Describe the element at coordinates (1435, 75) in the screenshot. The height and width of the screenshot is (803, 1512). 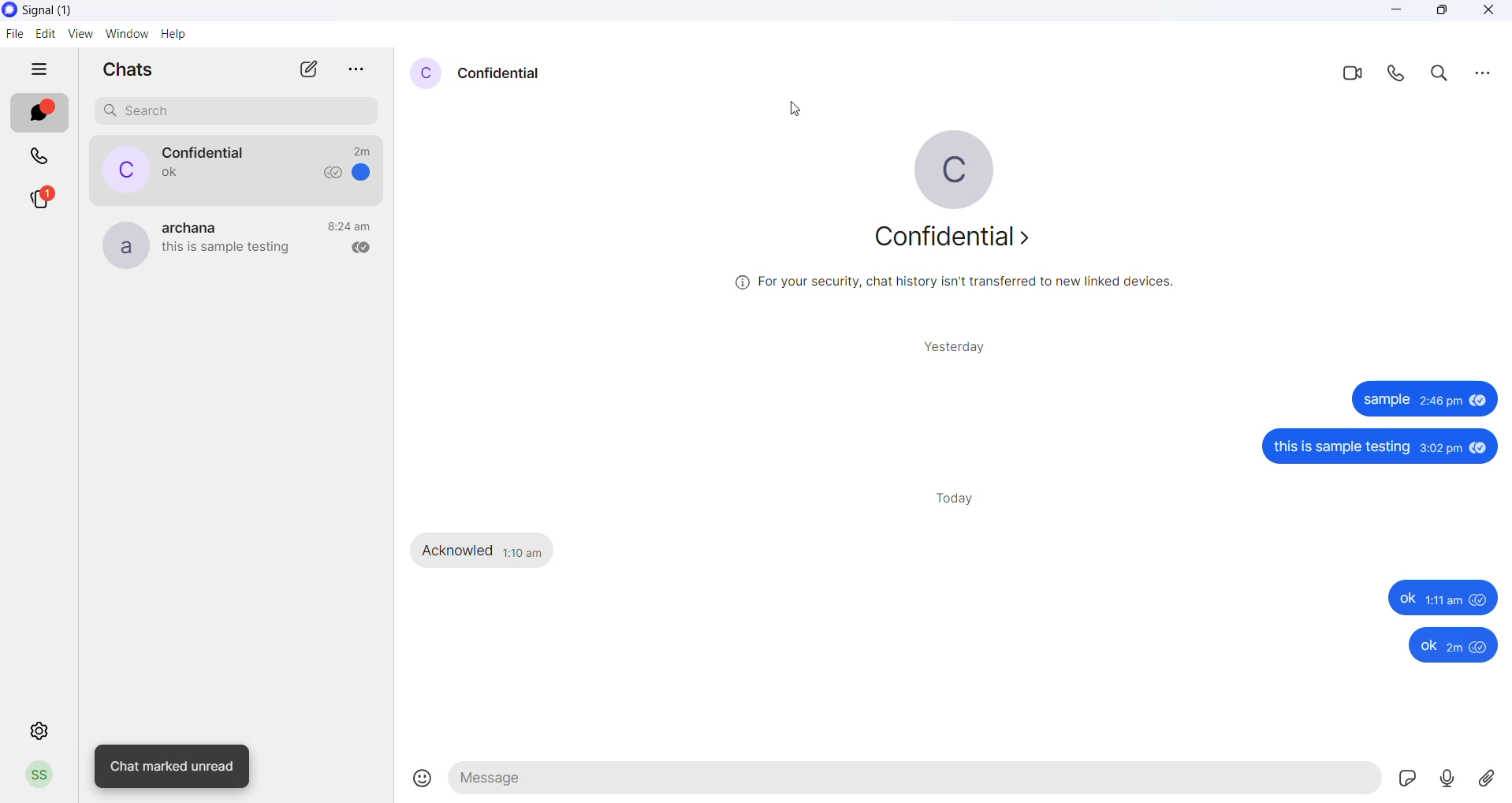
I see `search in chat` at that location.